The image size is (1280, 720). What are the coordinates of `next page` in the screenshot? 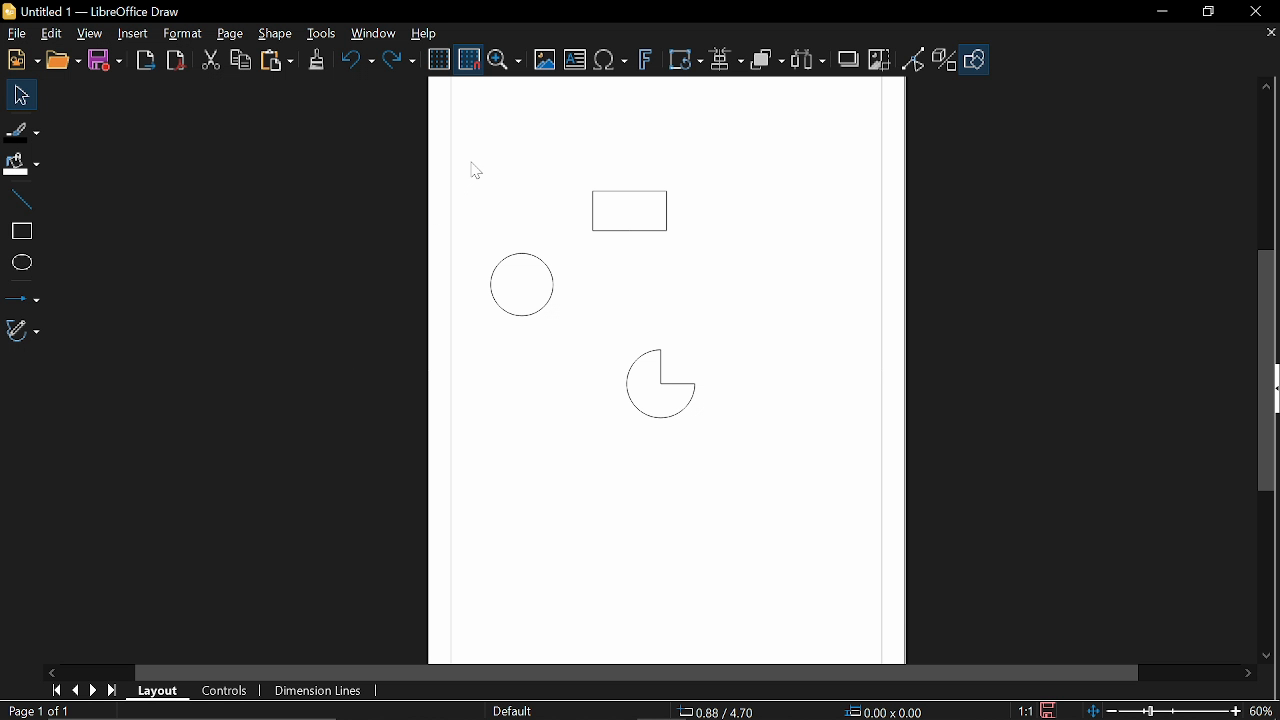 It's located at (89, 690).